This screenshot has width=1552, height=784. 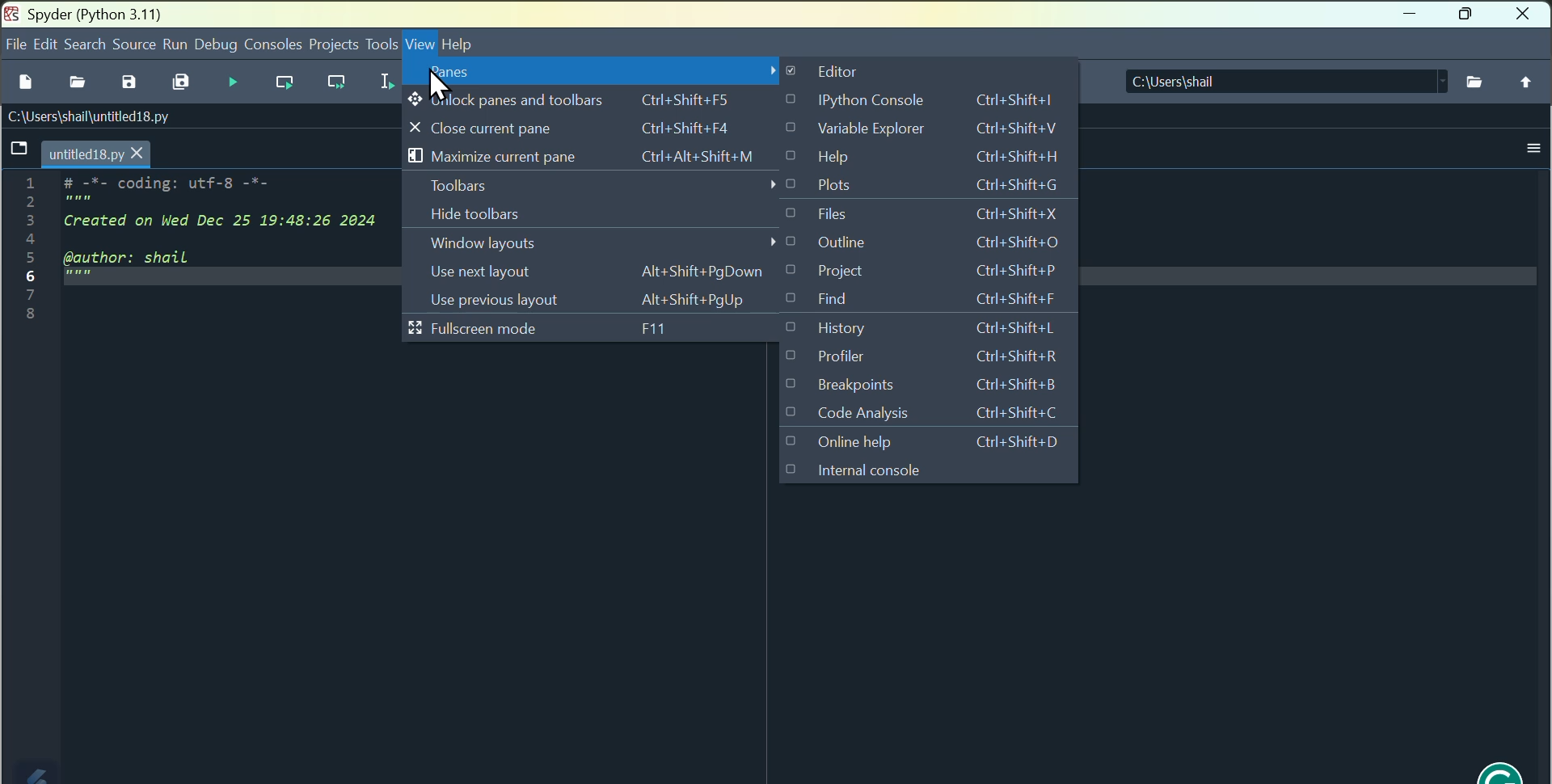 What do you see at coordinates (946, 99) in the screenshot?
I see `Python console` at bounding box center [946, 99].